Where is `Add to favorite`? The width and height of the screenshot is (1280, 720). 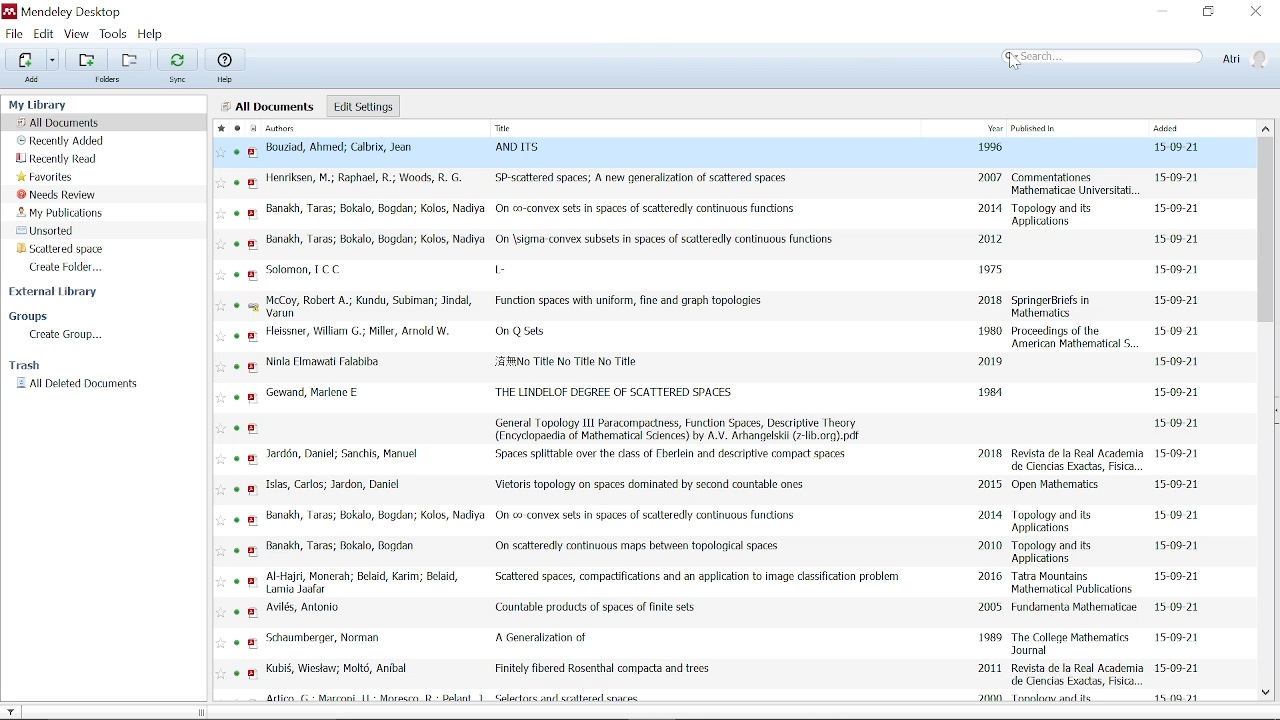
Add to favorite is located at coordinates (221, 244).